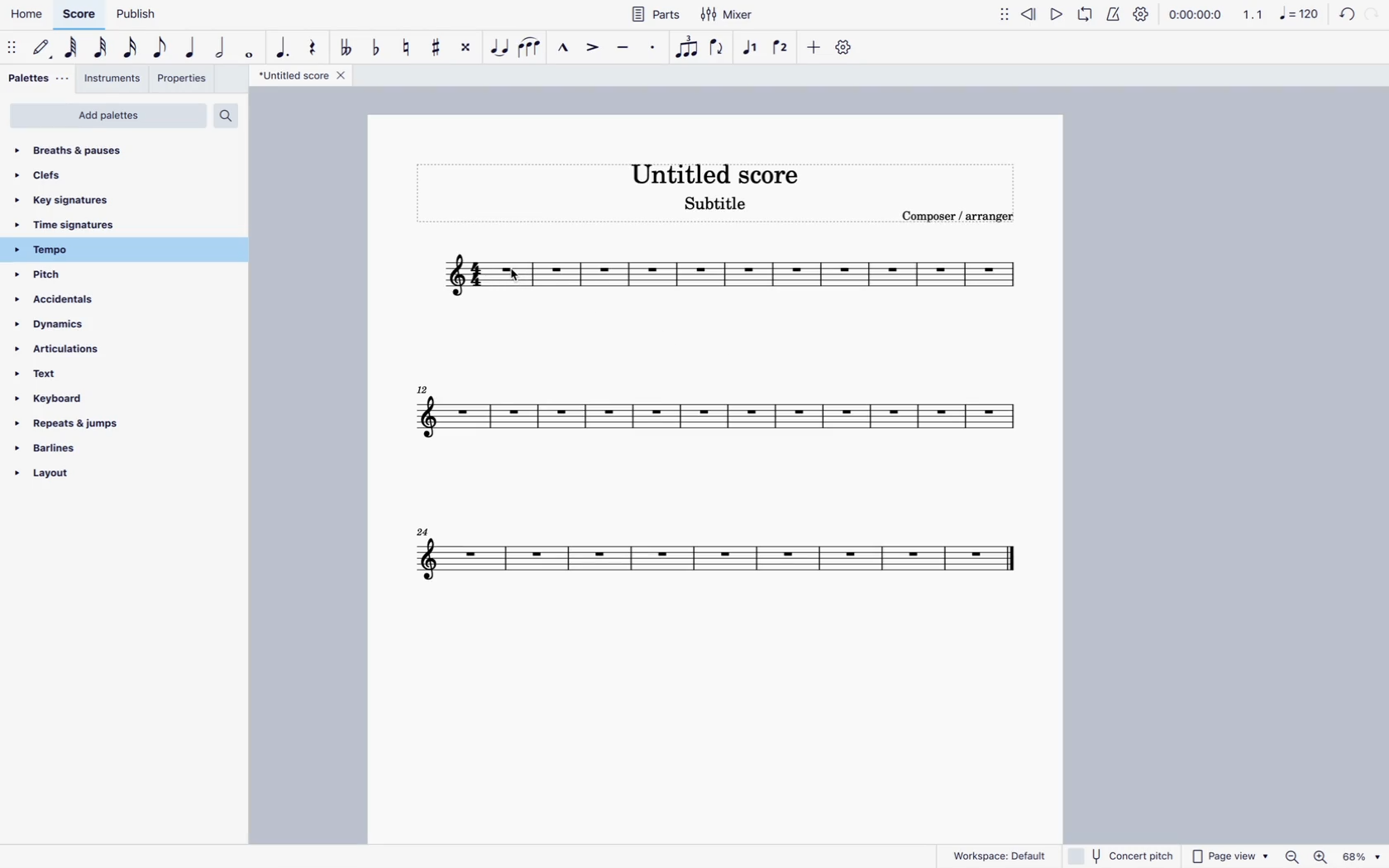 This screenshot has height=868, width=1389. Describe the element at coordinates (1196, 15) in the screenshot. I see `time` at that location.